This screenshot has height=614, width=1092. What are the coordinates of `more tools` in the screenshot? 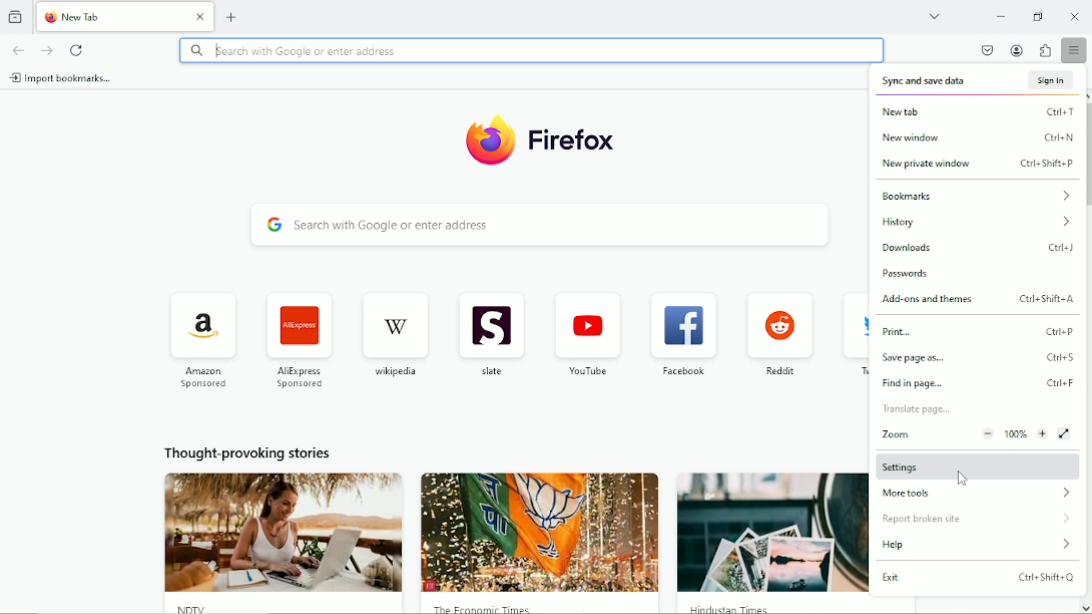 It's located at (978, 493).